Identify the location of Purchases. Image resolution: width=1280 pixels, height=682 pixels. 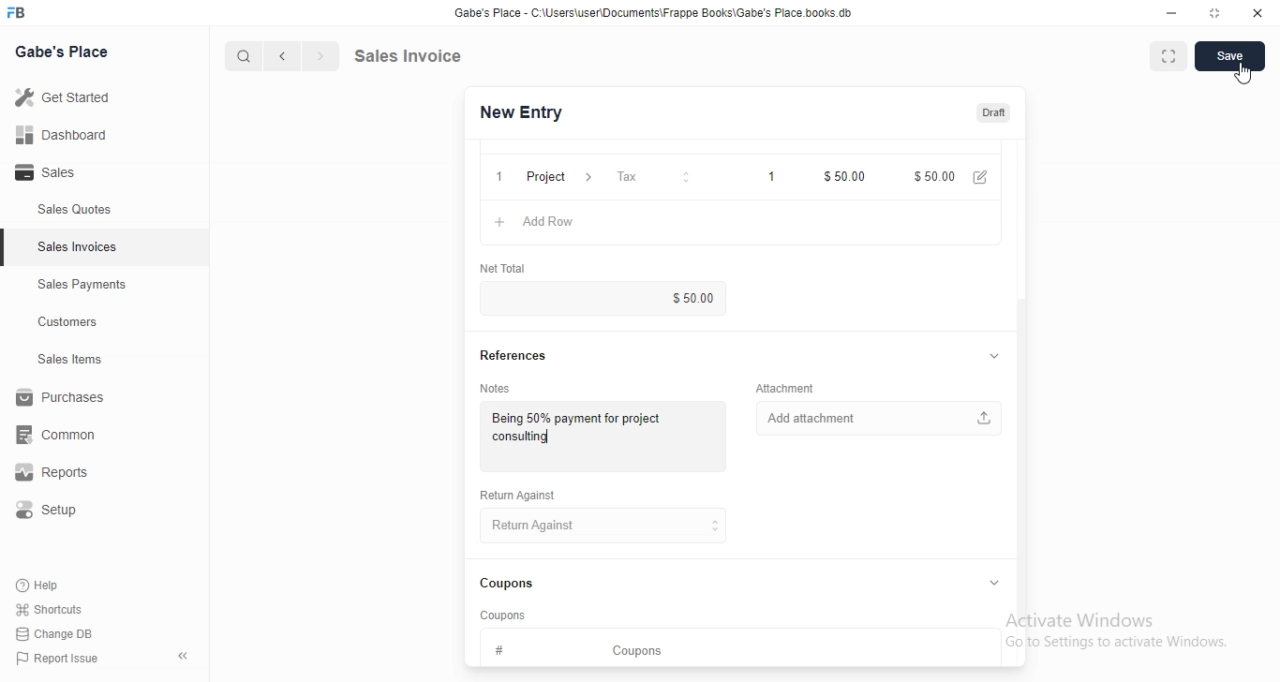
(64, 400).